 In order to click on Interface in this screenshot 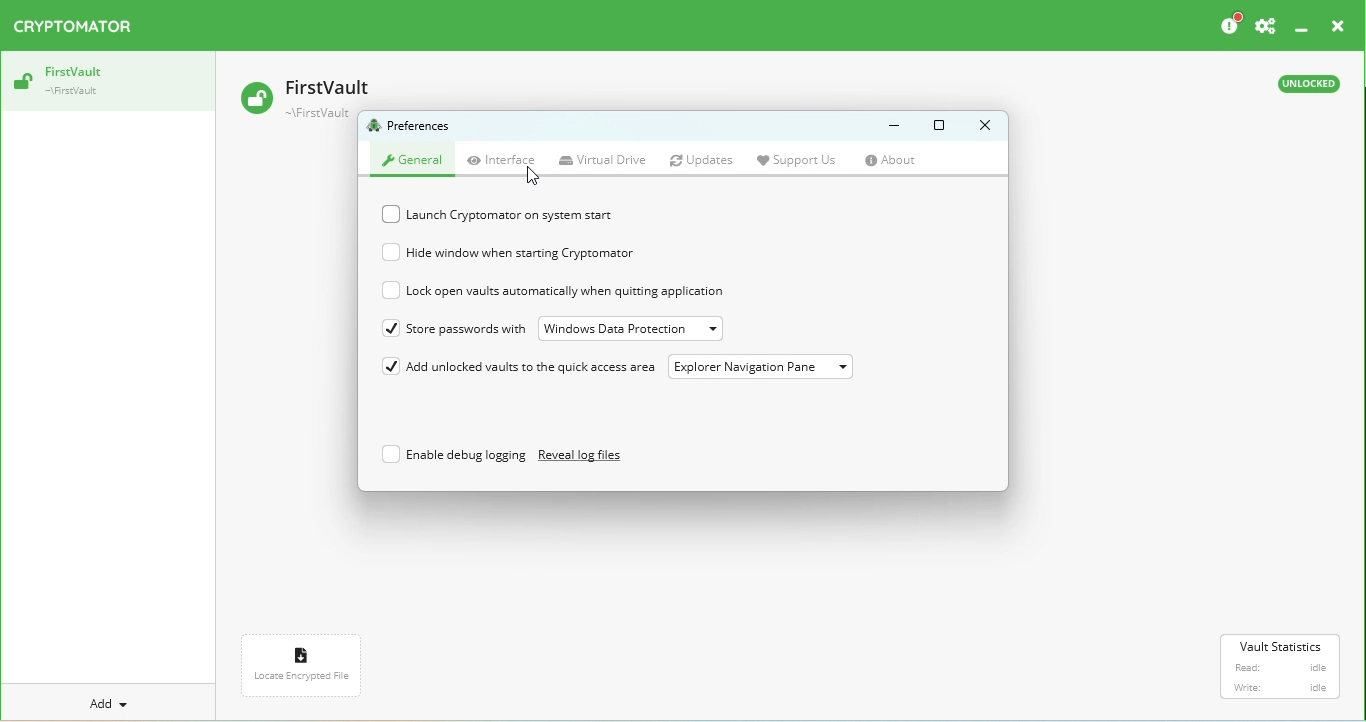, I will do `click(505, 159)`.